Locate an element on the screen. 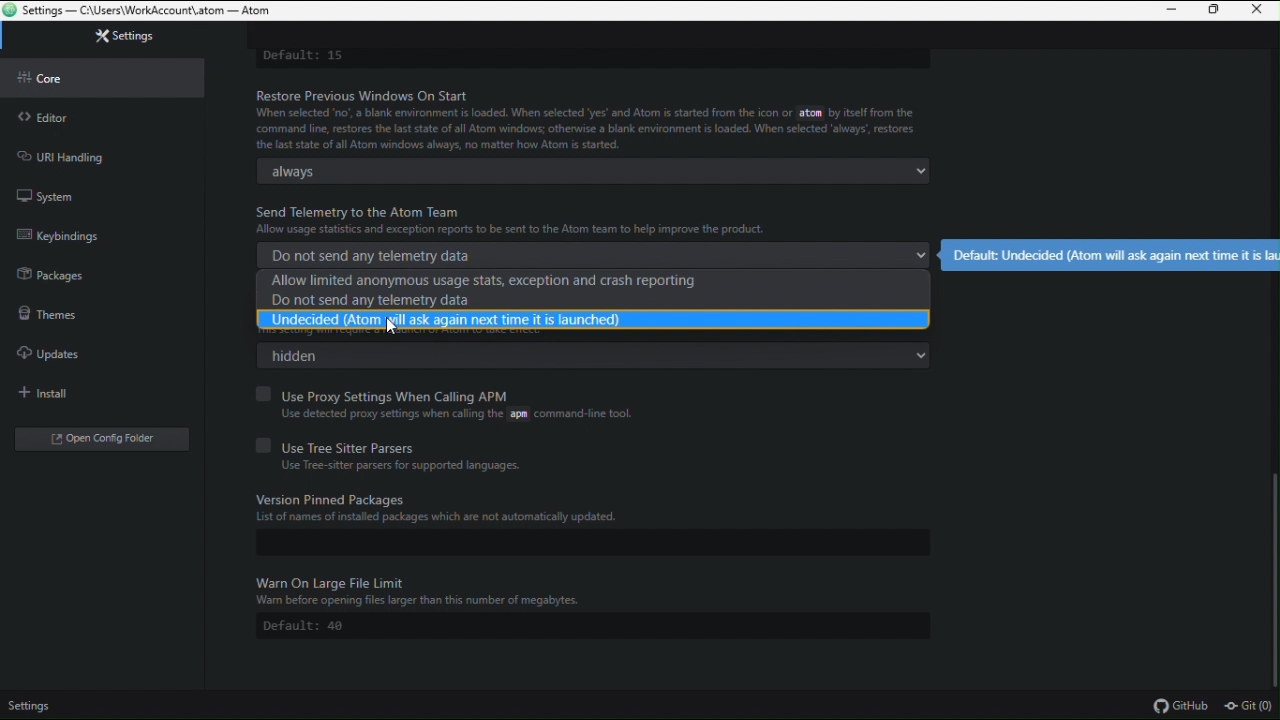  open configeditor is located at coordinates (93, 436).